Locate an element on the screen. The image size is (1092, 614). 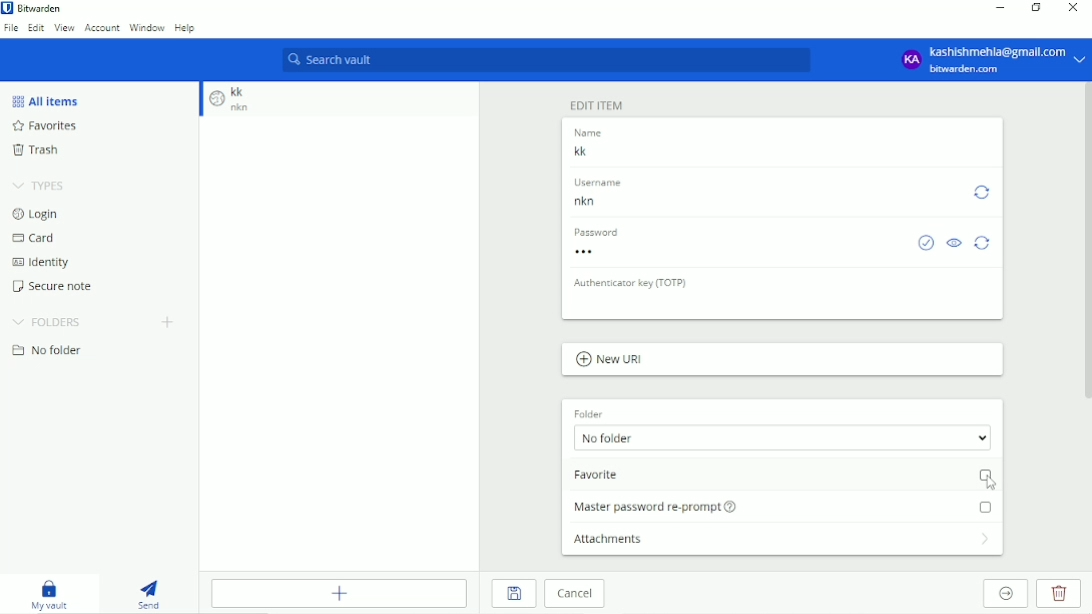
My vault is located at coordinates (50, 595).